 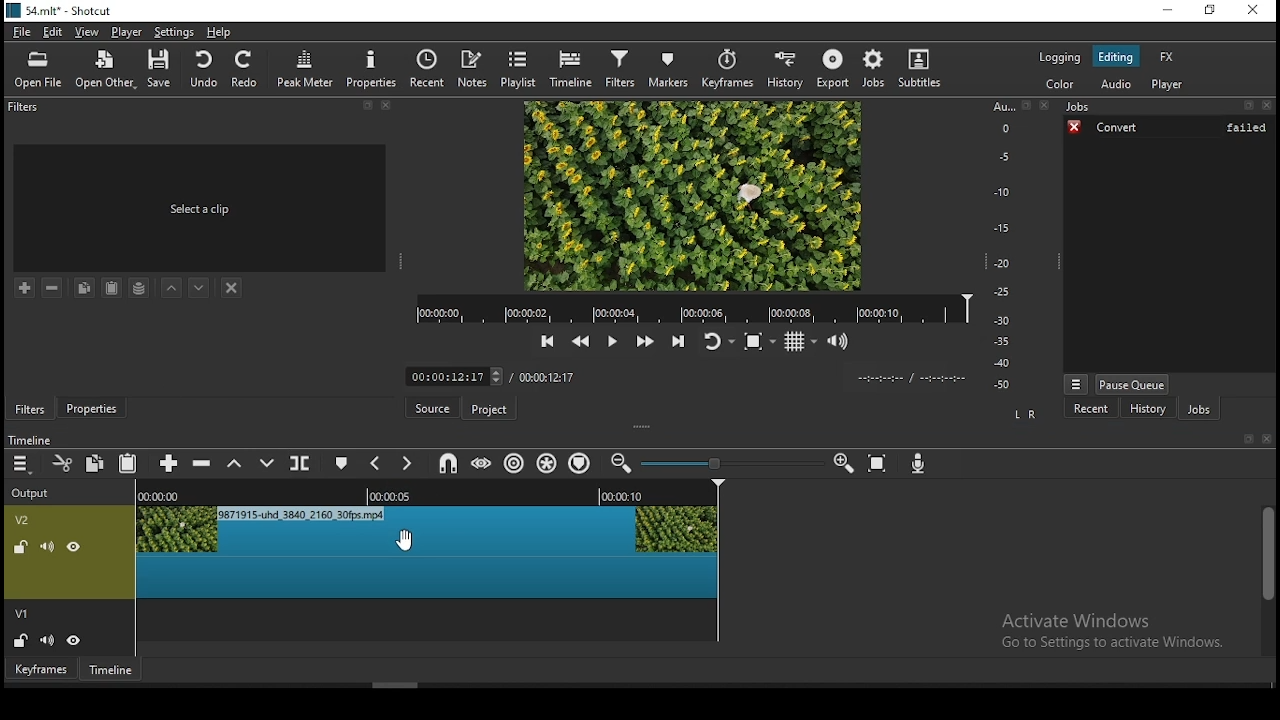 I want to click on append, so click(x=169, y=466).